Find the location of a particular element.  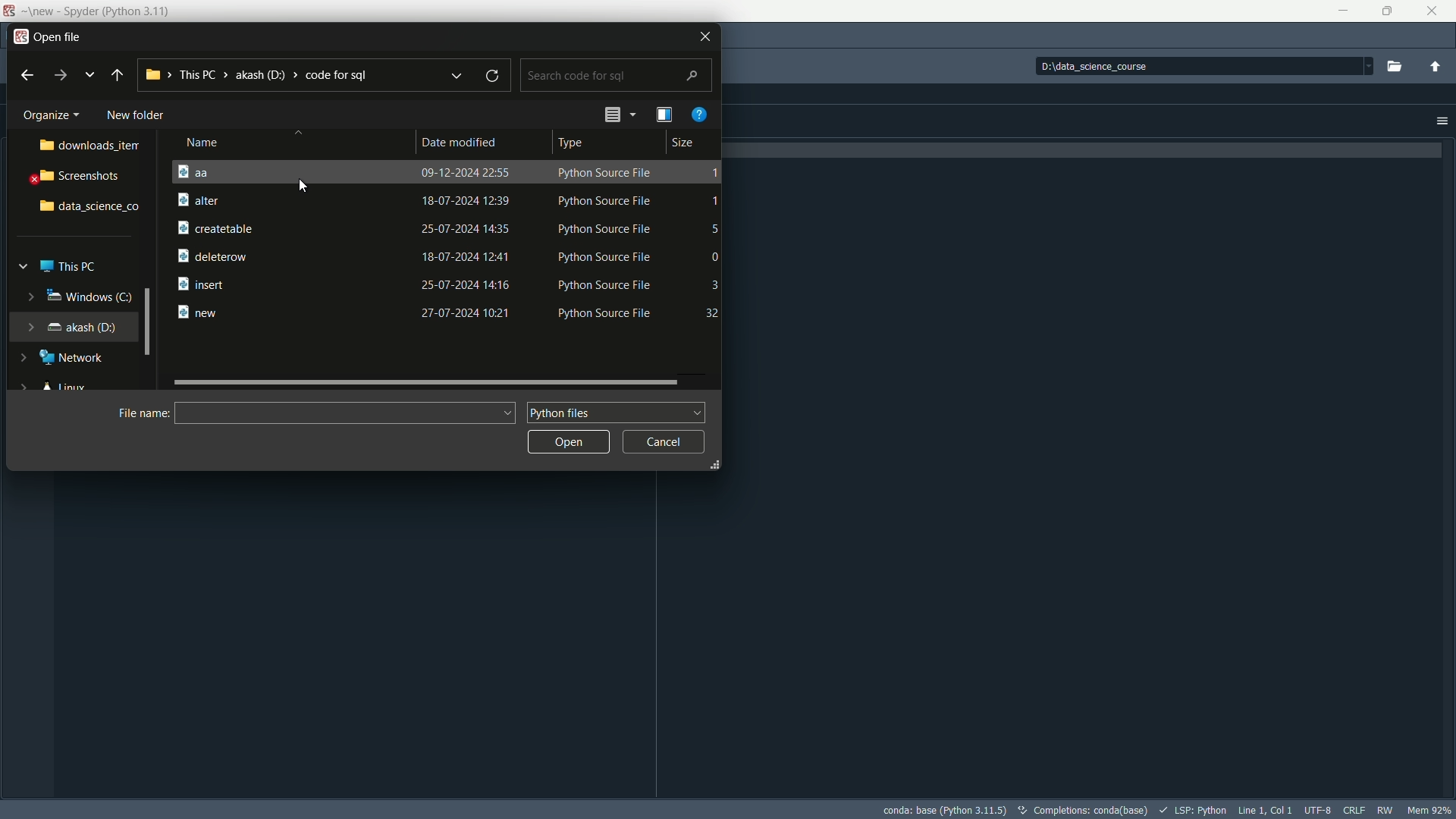

Dropdown is located at coordinates (89, 74).